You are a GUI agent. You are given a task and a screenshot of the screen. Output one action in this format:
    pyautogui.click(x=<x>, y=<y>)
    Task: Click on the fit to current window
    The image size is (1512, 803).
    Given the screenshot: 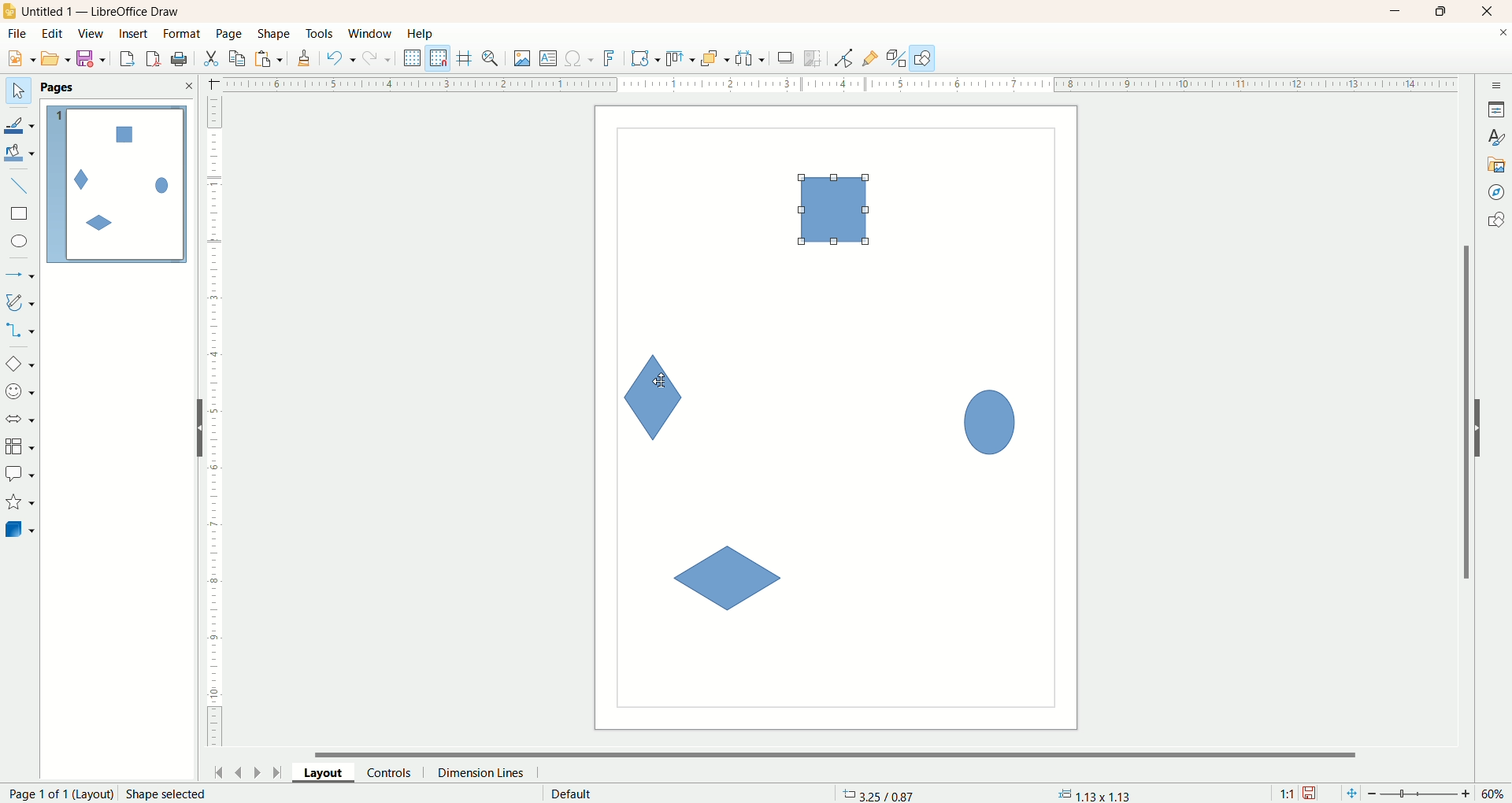 What is the action you would take?
    pyautogui.click(x=1350, y=794)
    